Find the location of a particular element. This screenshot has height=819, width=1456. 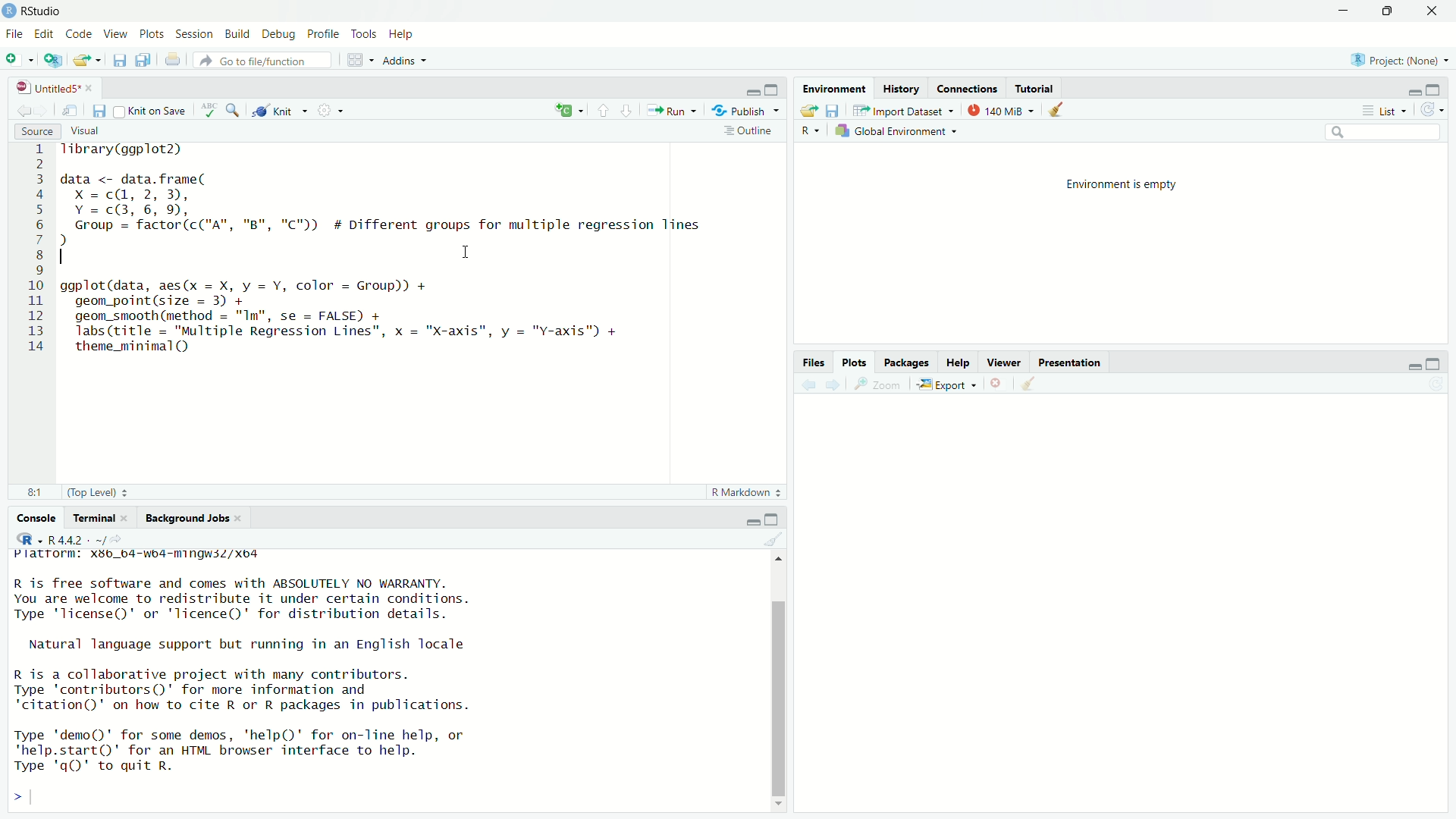

Code is located at coordinates (79, 34).